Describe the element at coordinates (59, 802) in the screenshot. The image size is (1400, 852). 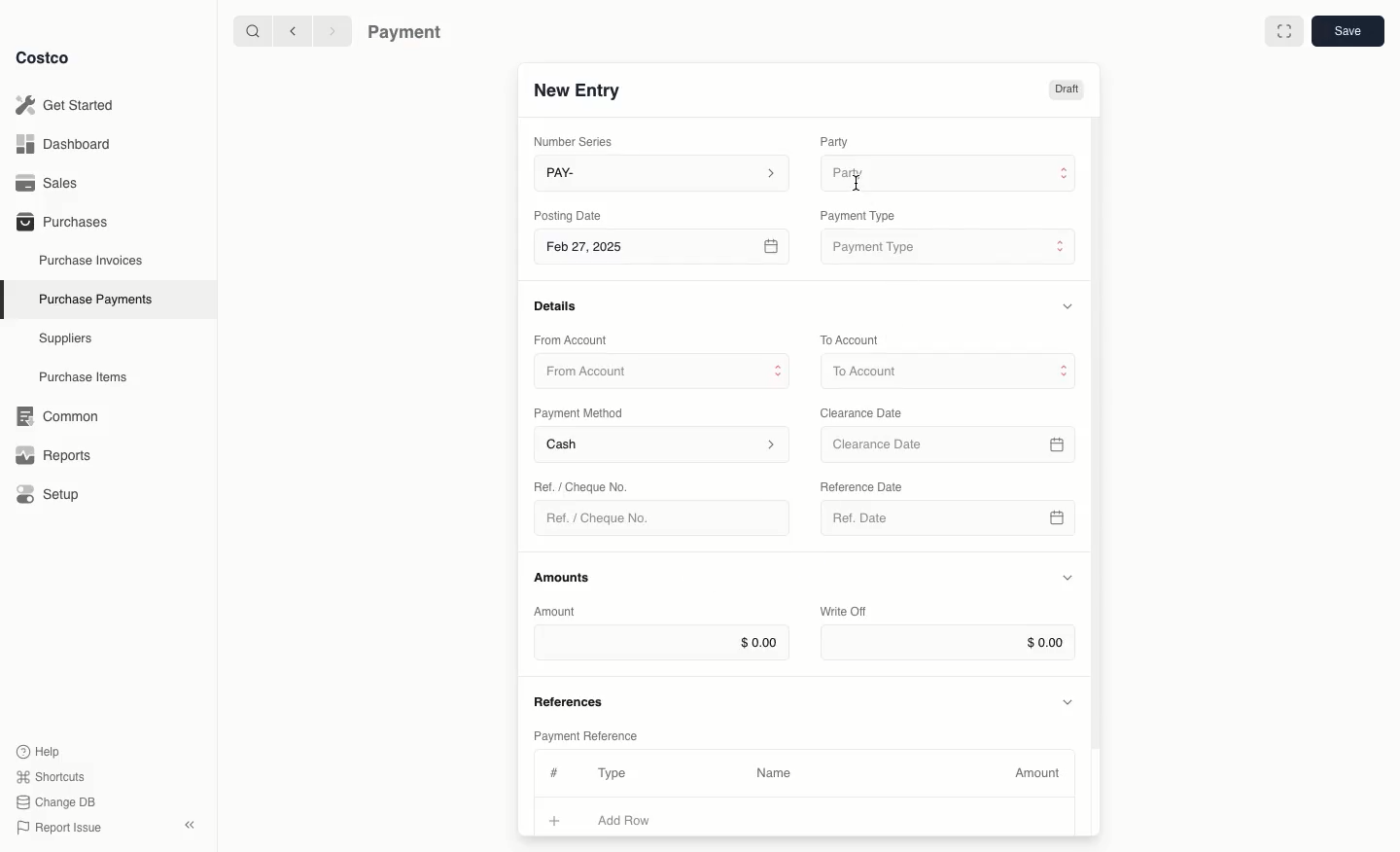
I see `Change DB` at that location.